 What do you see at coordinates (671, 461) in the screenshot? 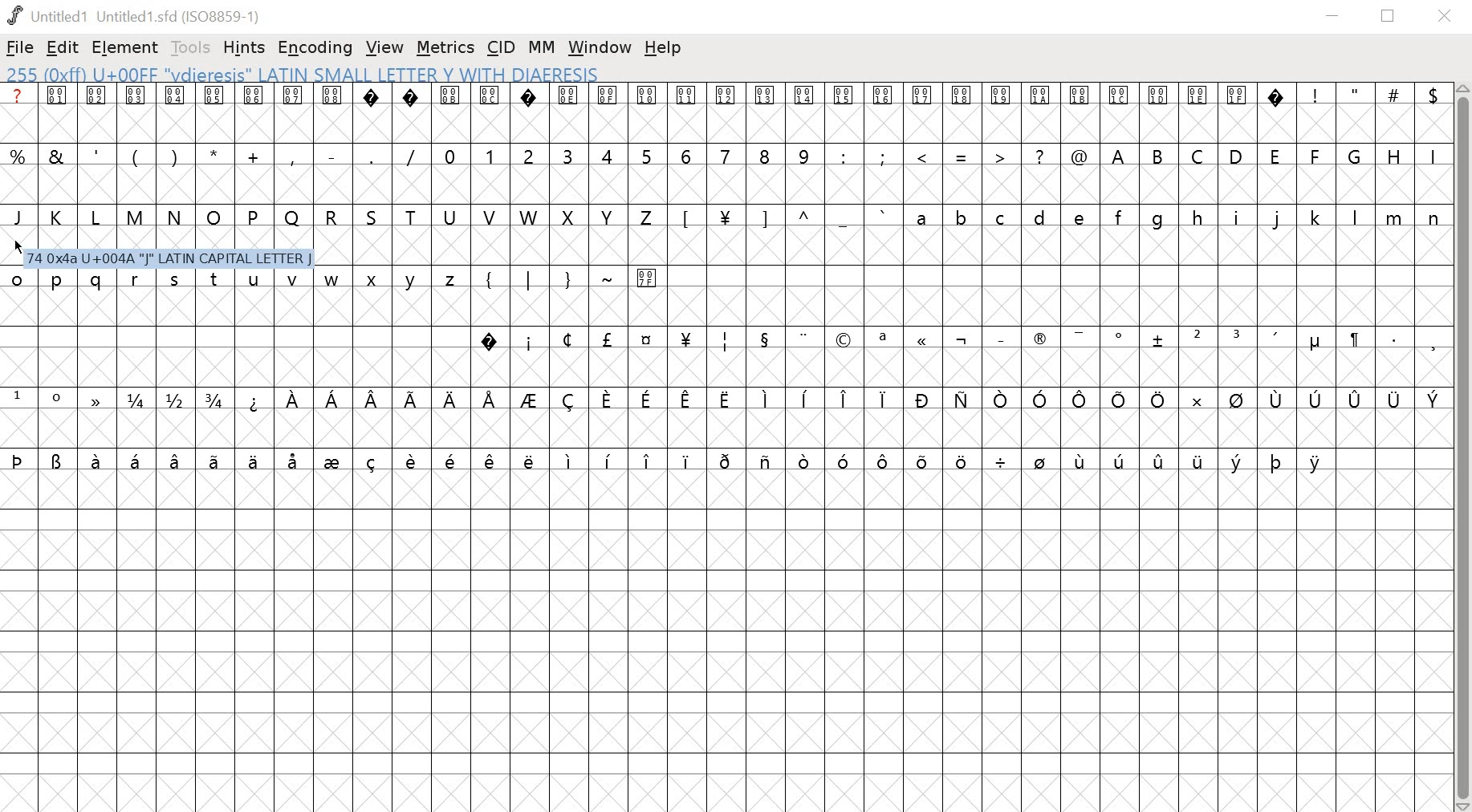
I see `symbols` at bounding box center [671, 461].